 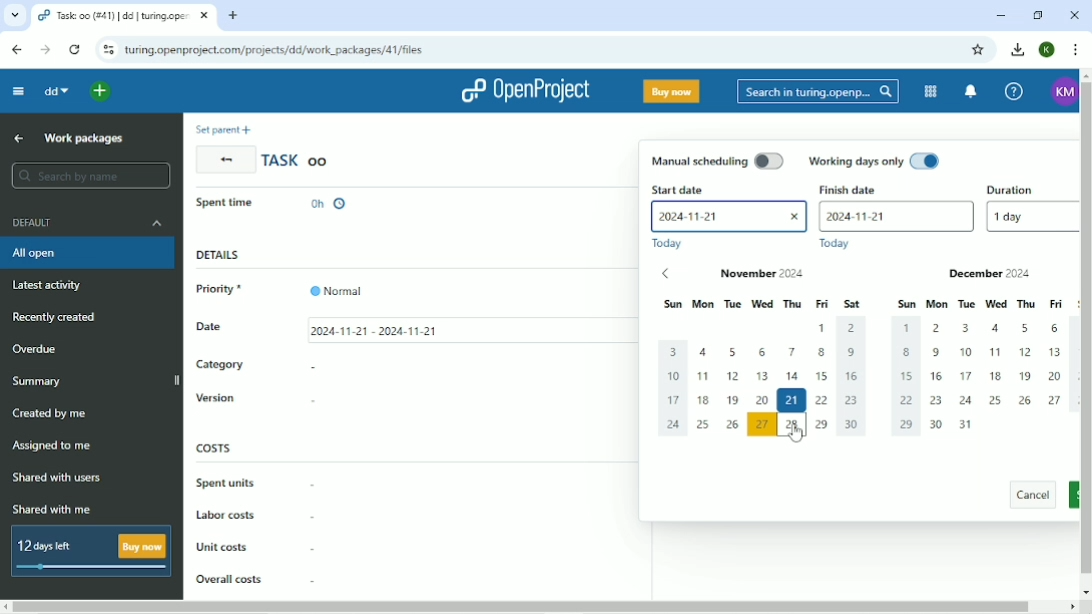 What do you see at coordinates (1027, 188) in the screenshot?
I see `Duration` at bounding box center [1027, 188].